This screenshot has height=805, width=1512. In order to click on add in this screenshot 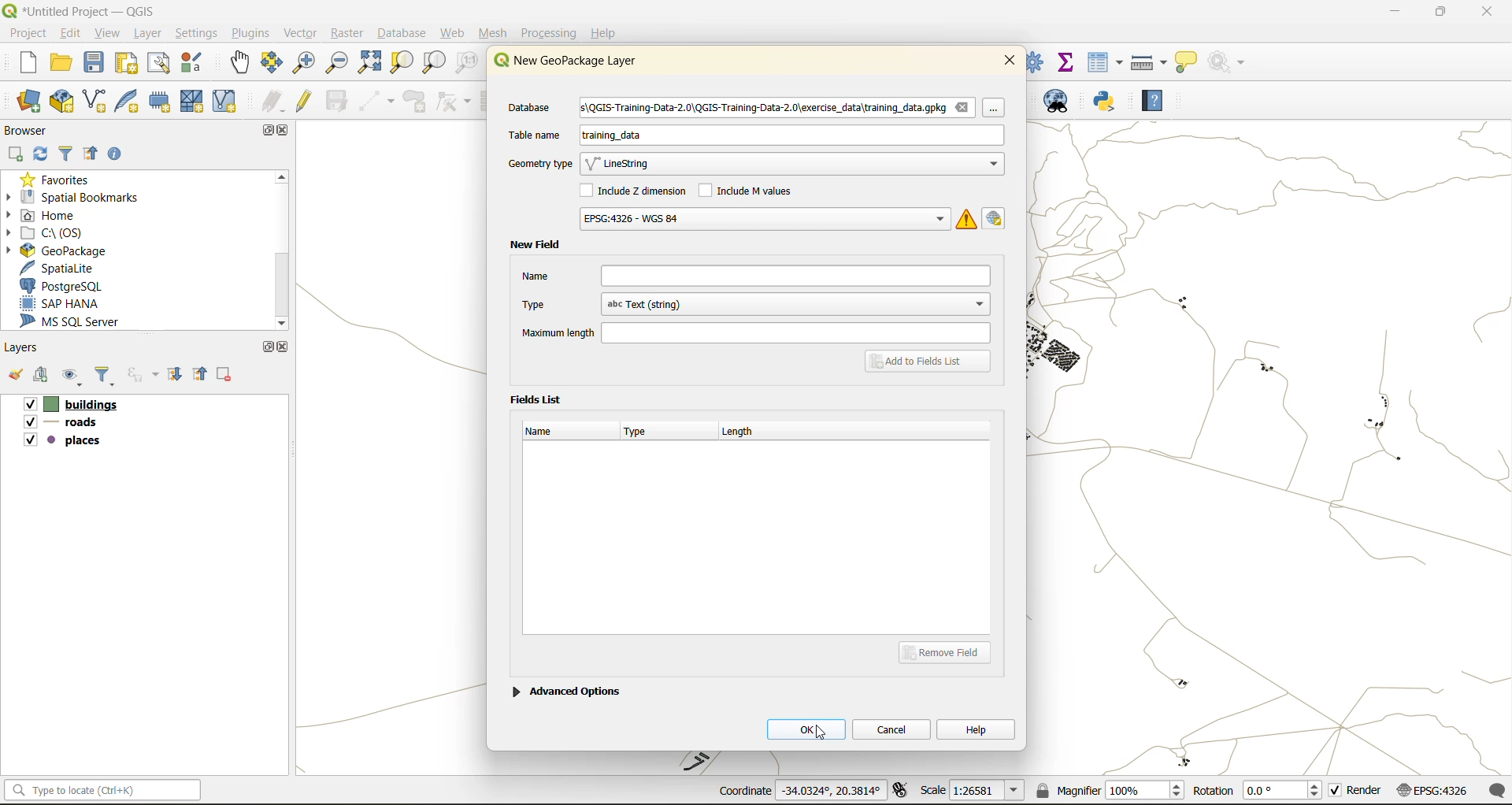, I will do `click(17, 154)`.